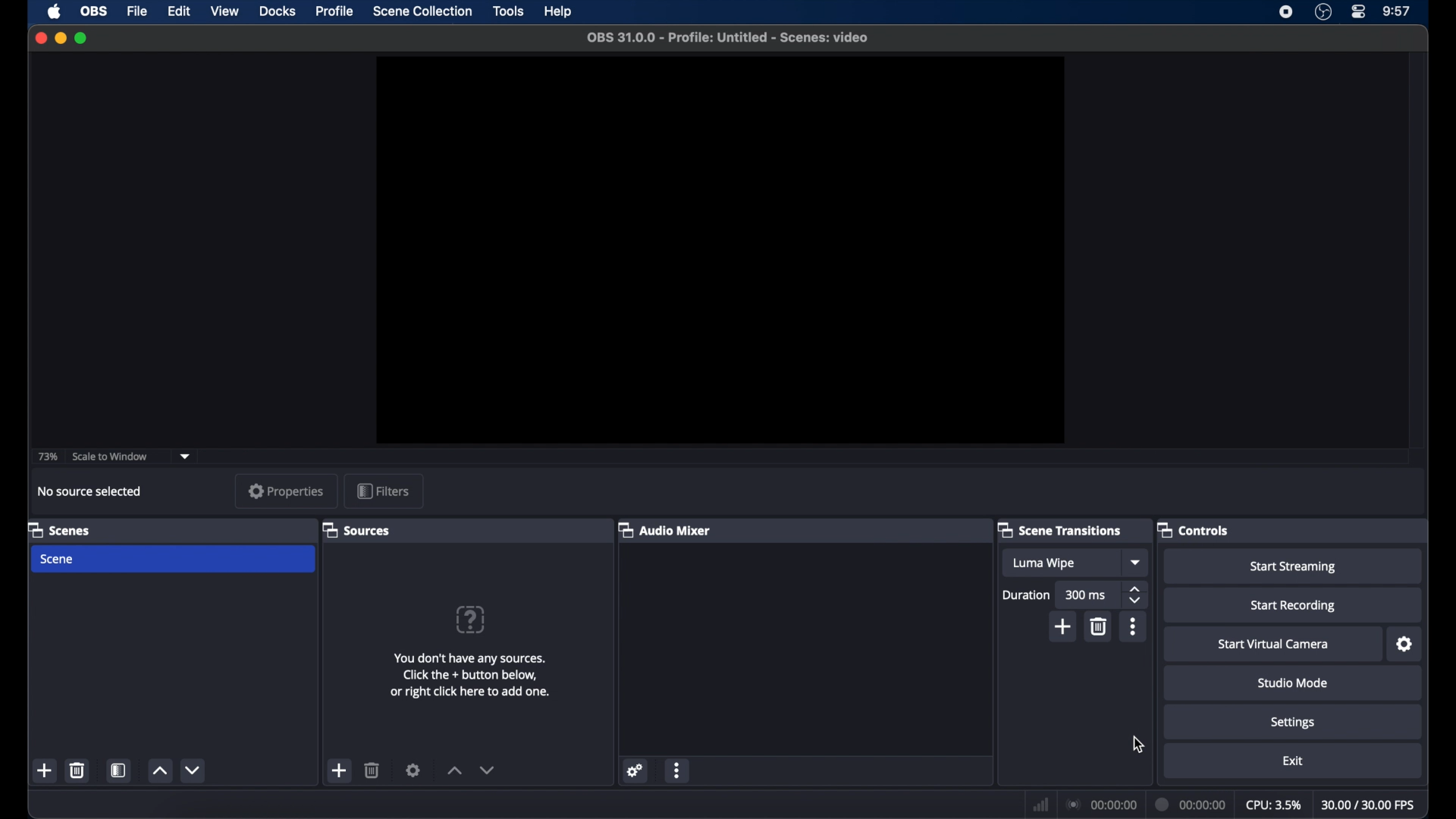  I want to click on settings, so click(1405, 645).